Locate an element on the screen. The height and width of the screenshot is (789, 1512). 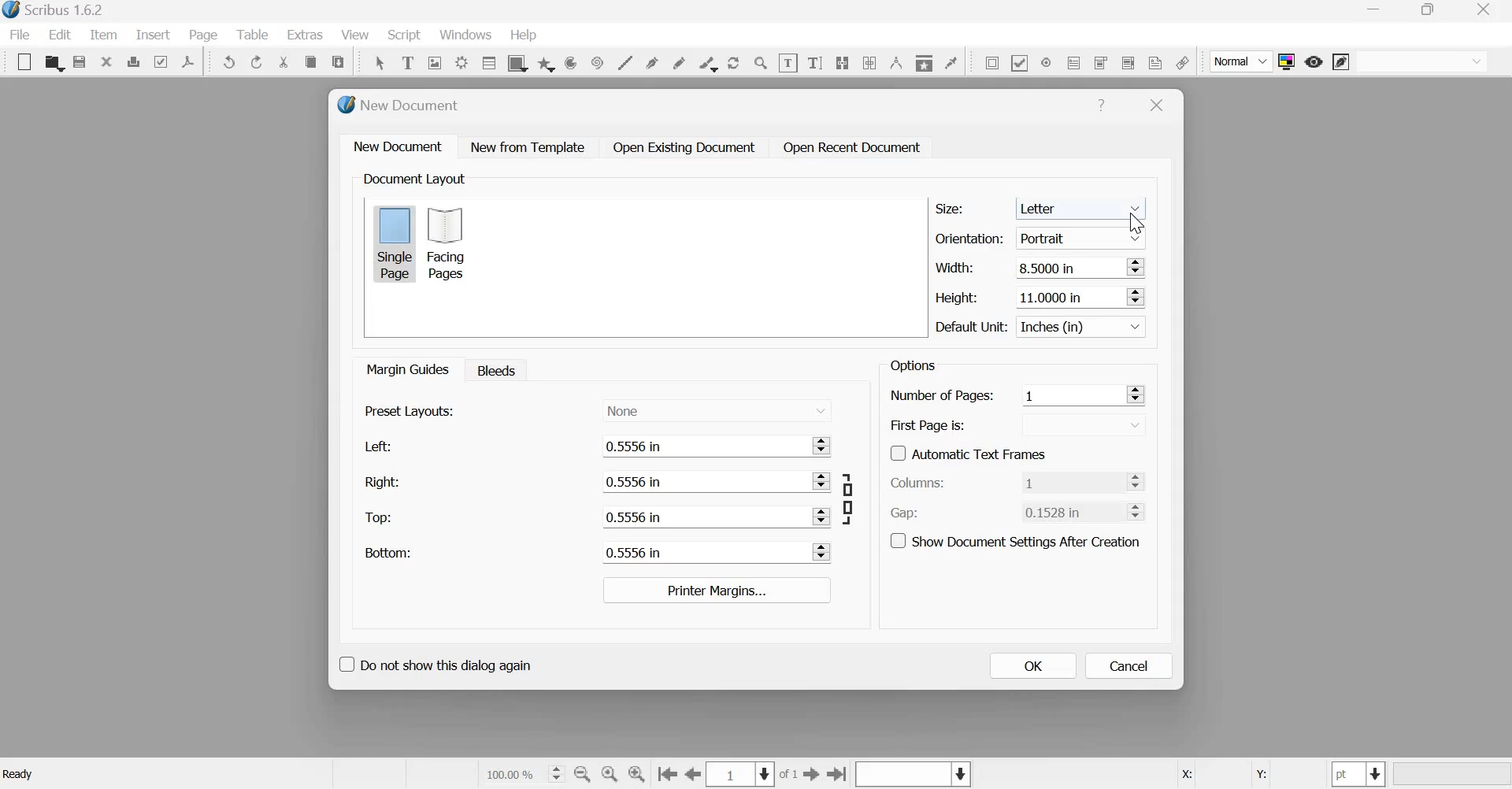
Potrait is located at coordinates (1084, 235).